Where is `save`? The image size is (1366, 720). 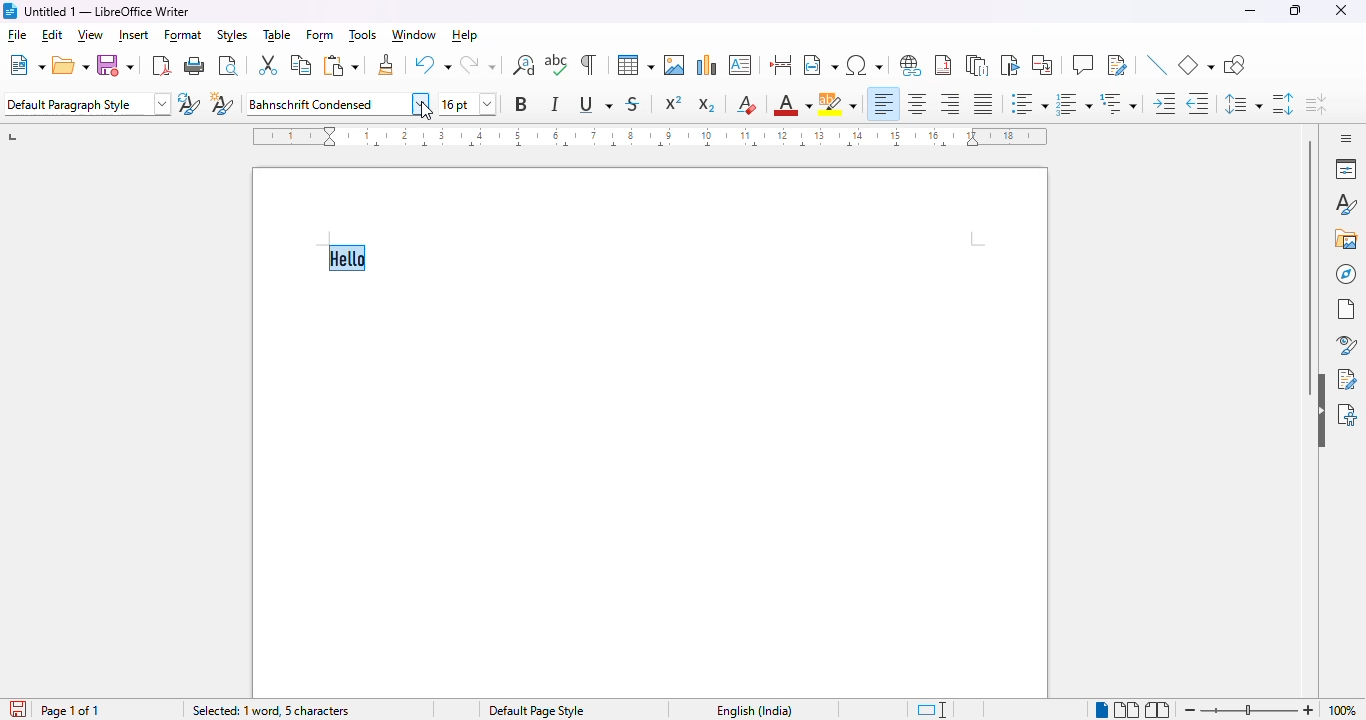 save is located at coordinates (16, 708).